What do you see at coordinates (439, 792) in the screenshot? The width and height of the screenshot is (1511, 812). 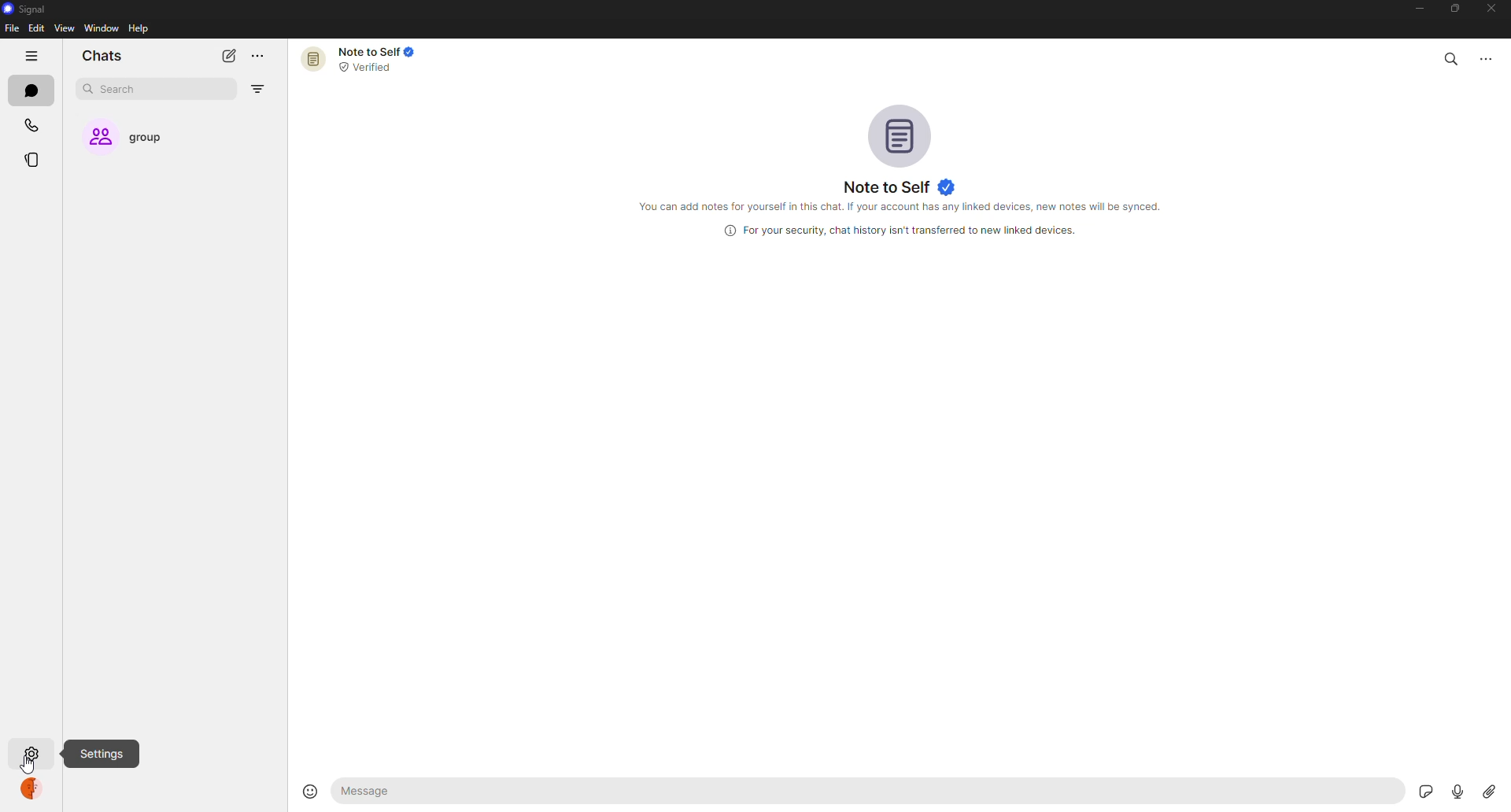 I see `message` at bounding box center [439, 792].